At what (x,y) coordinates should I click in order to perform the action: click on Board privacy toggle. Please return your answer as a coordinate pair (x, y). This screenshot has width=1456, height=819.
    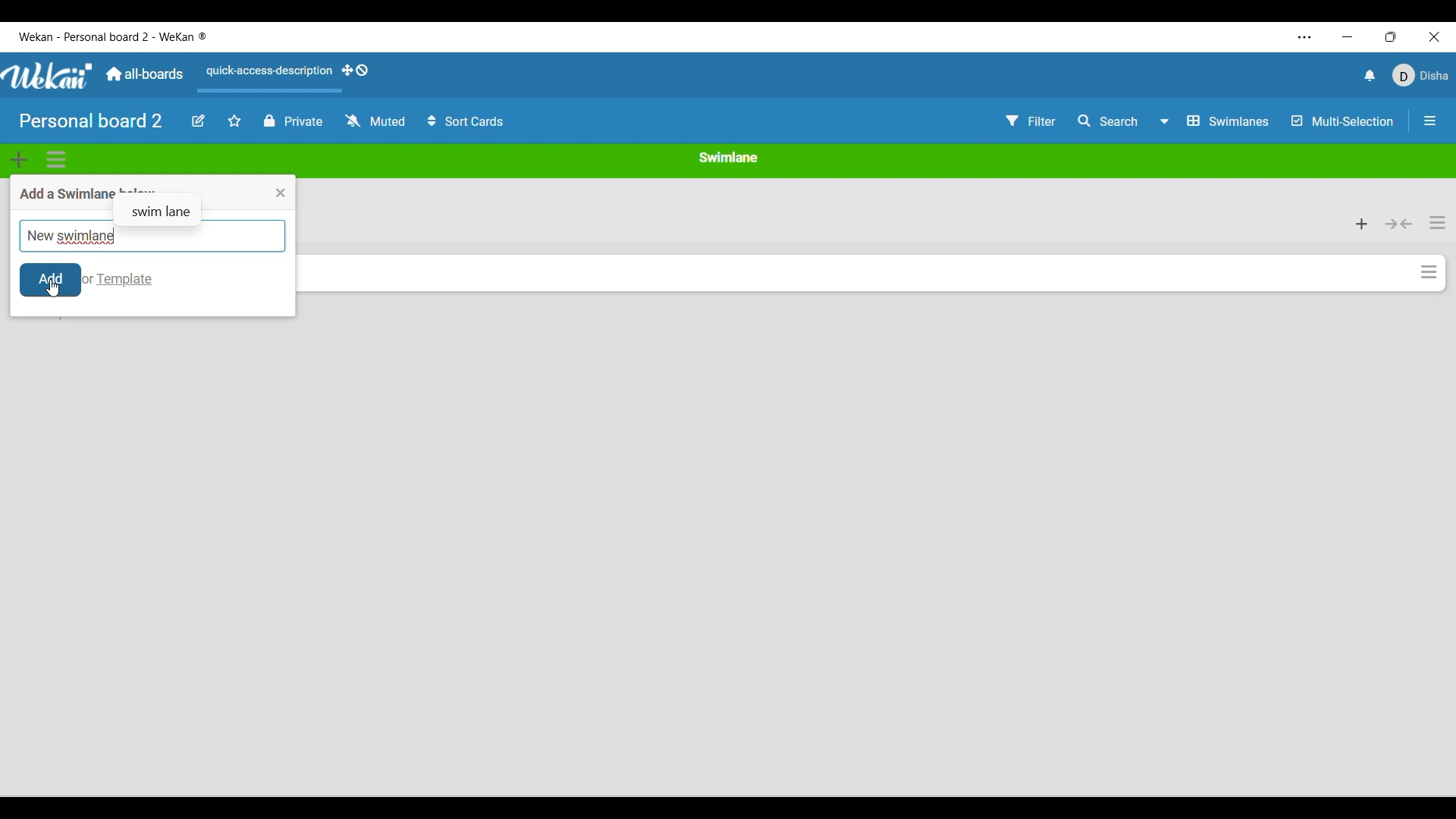
    Looking at the image, I should click on (294, 121).